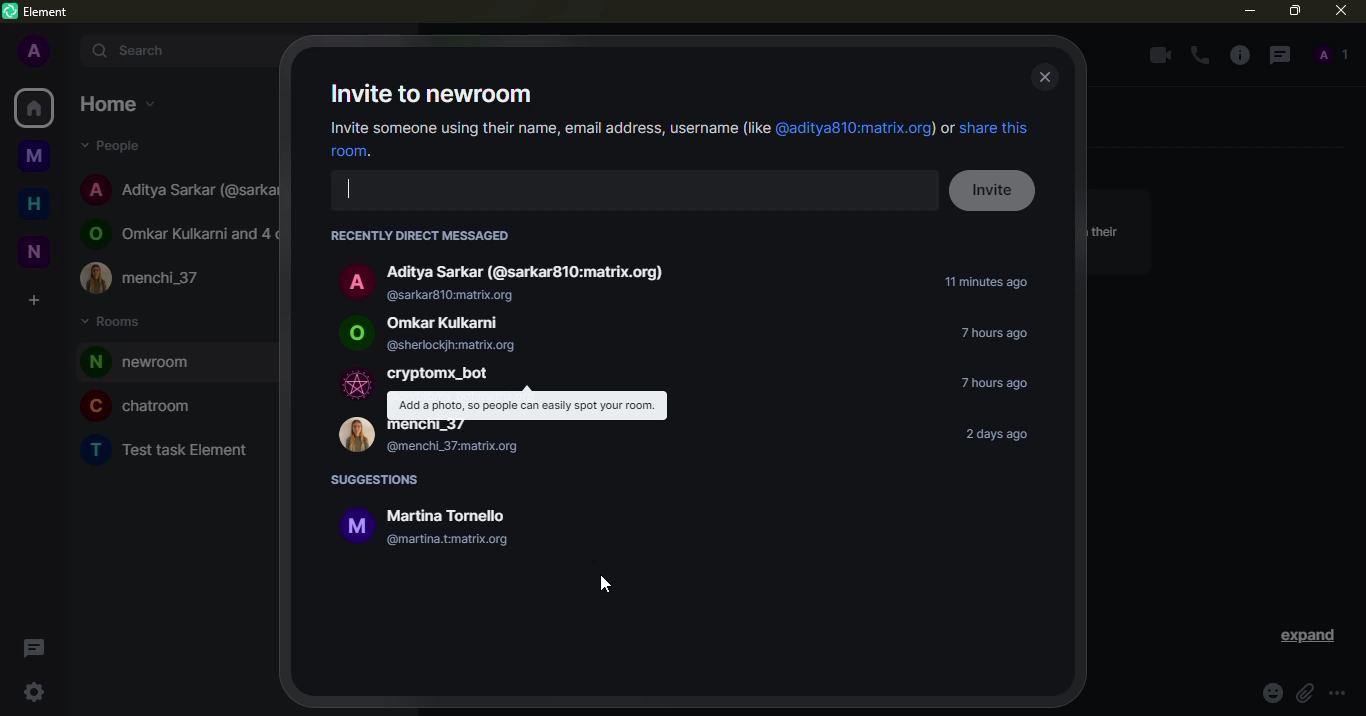 This screenshot has height=716, width=1366. I want to click on Test task Element, so click(170, 450).